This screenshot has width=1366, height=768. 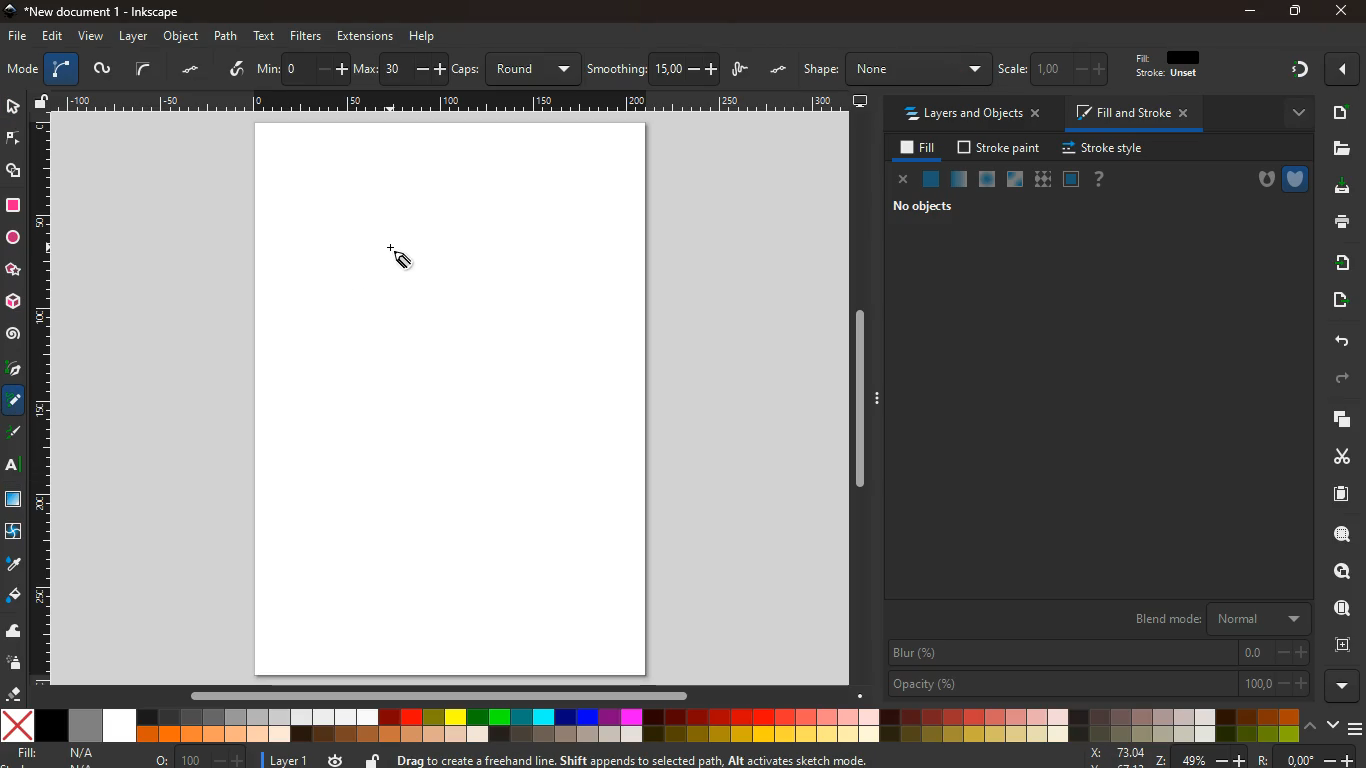 What do you see at coordinates (780, 70) in the screenshot?
I see `dots` at bounding box center [780, 70].